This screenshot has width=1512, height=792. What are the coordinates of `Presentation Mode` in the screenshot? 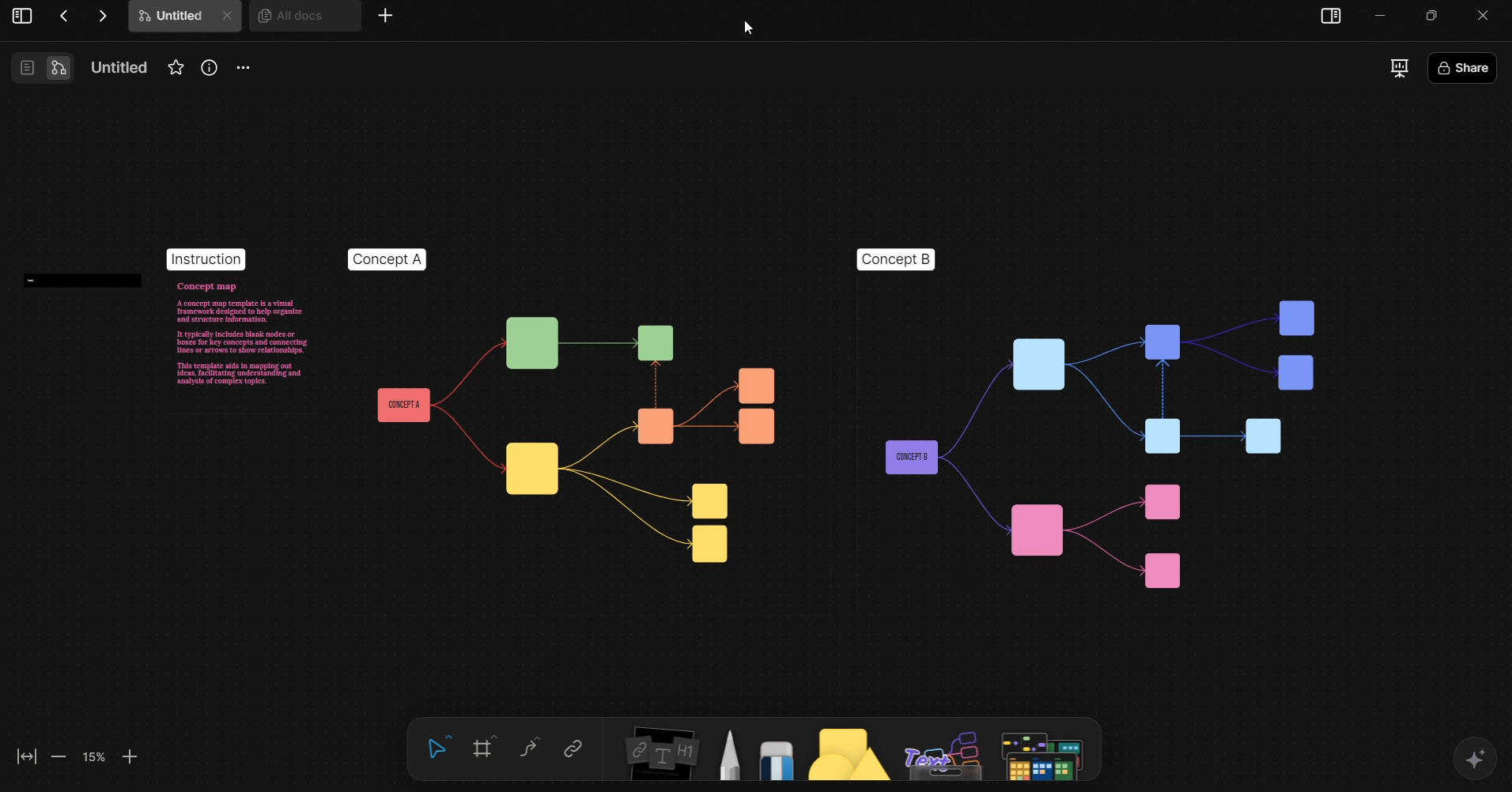 It's located at (1400, 70).